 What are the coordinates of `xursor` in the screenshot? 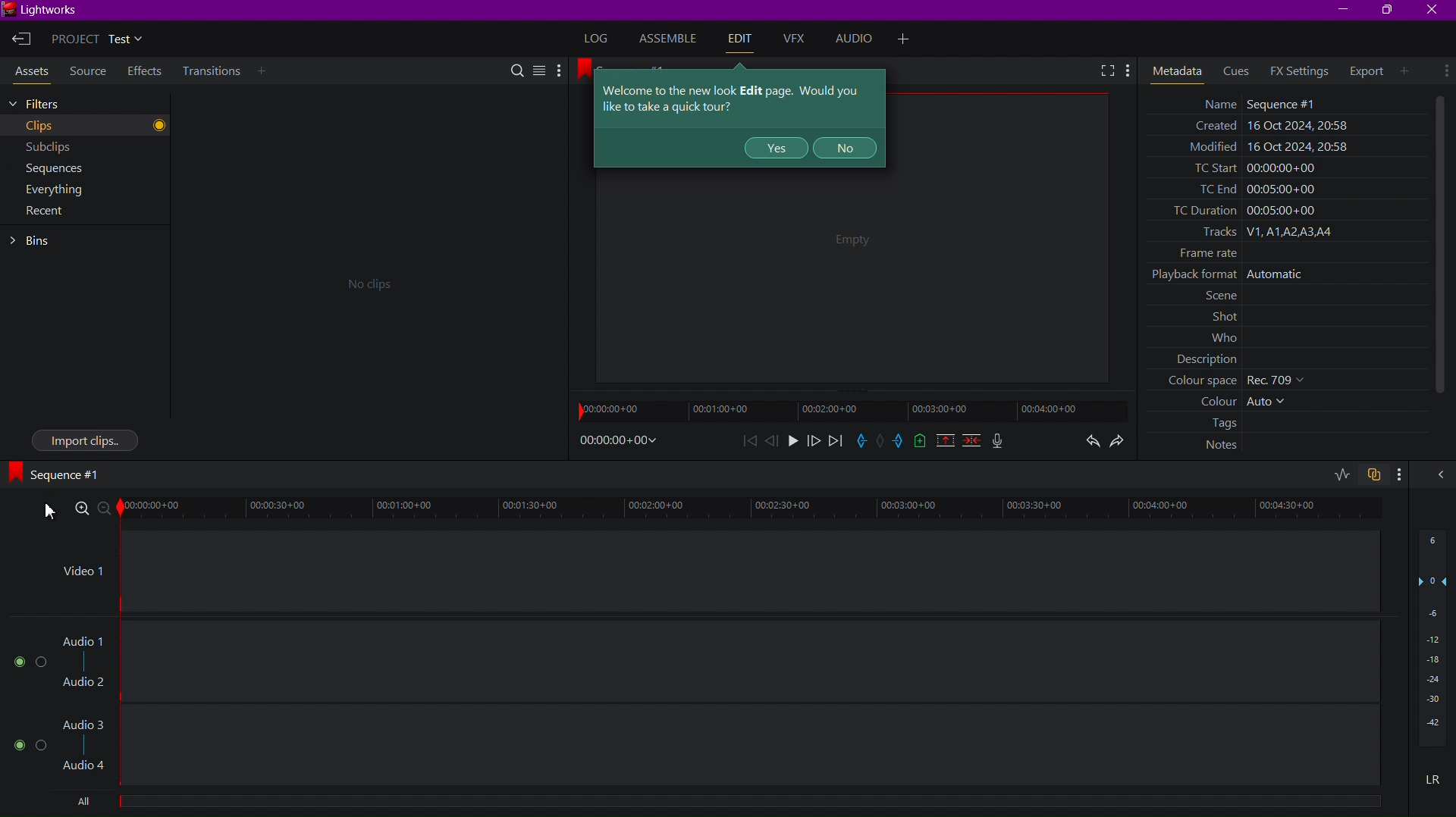 It's located at (43, 512).